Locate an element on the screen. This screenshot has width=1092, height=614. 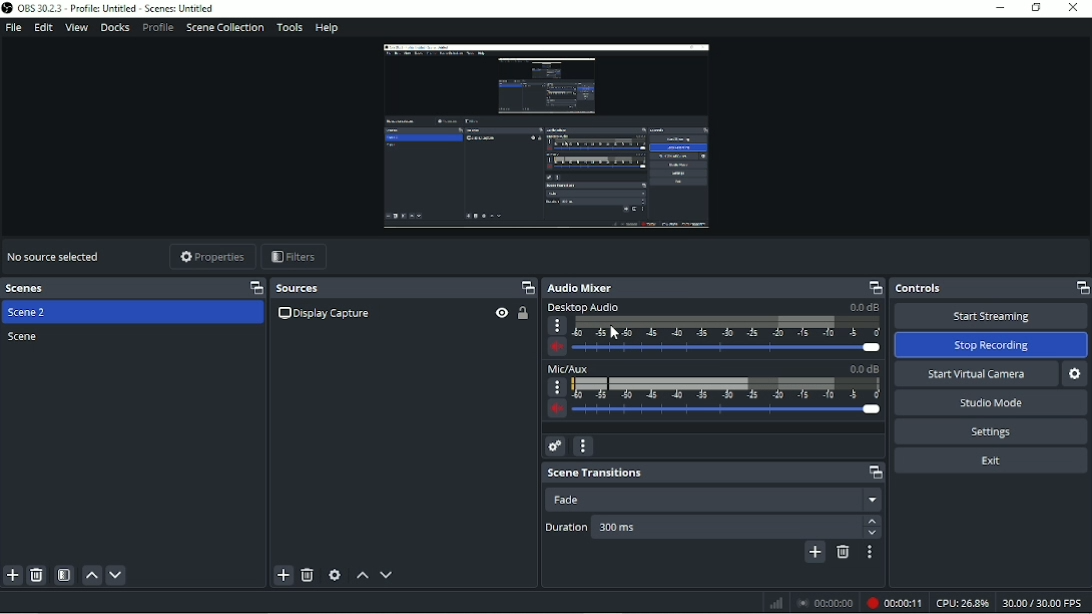
Restore down is located at coordinates (1035, 8).